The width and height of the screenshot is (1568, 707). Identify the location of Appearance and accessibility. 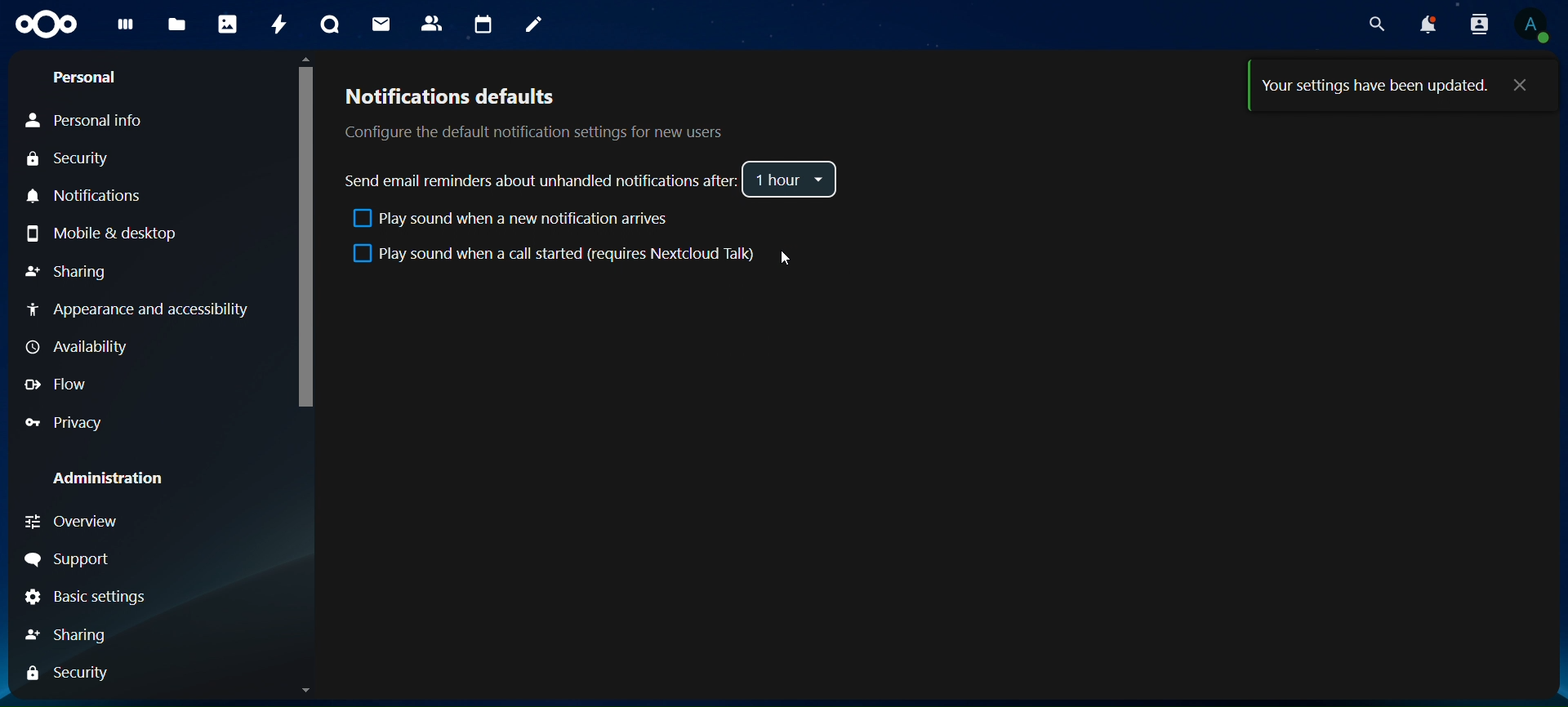
(147, 313).